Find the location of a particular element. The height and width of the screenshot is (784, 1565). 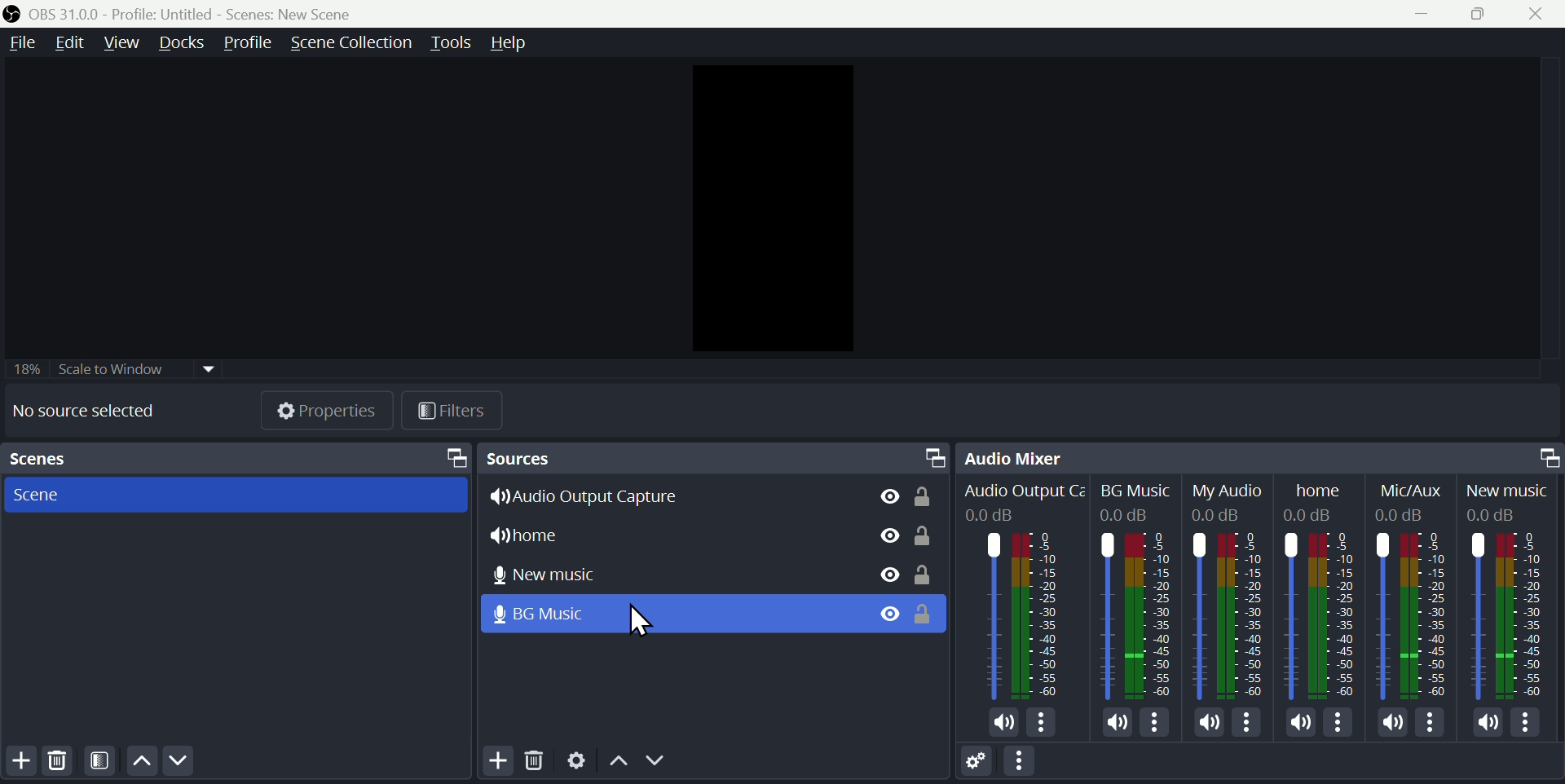

Mute/Unmutre is located at coordinates (1115, 719).